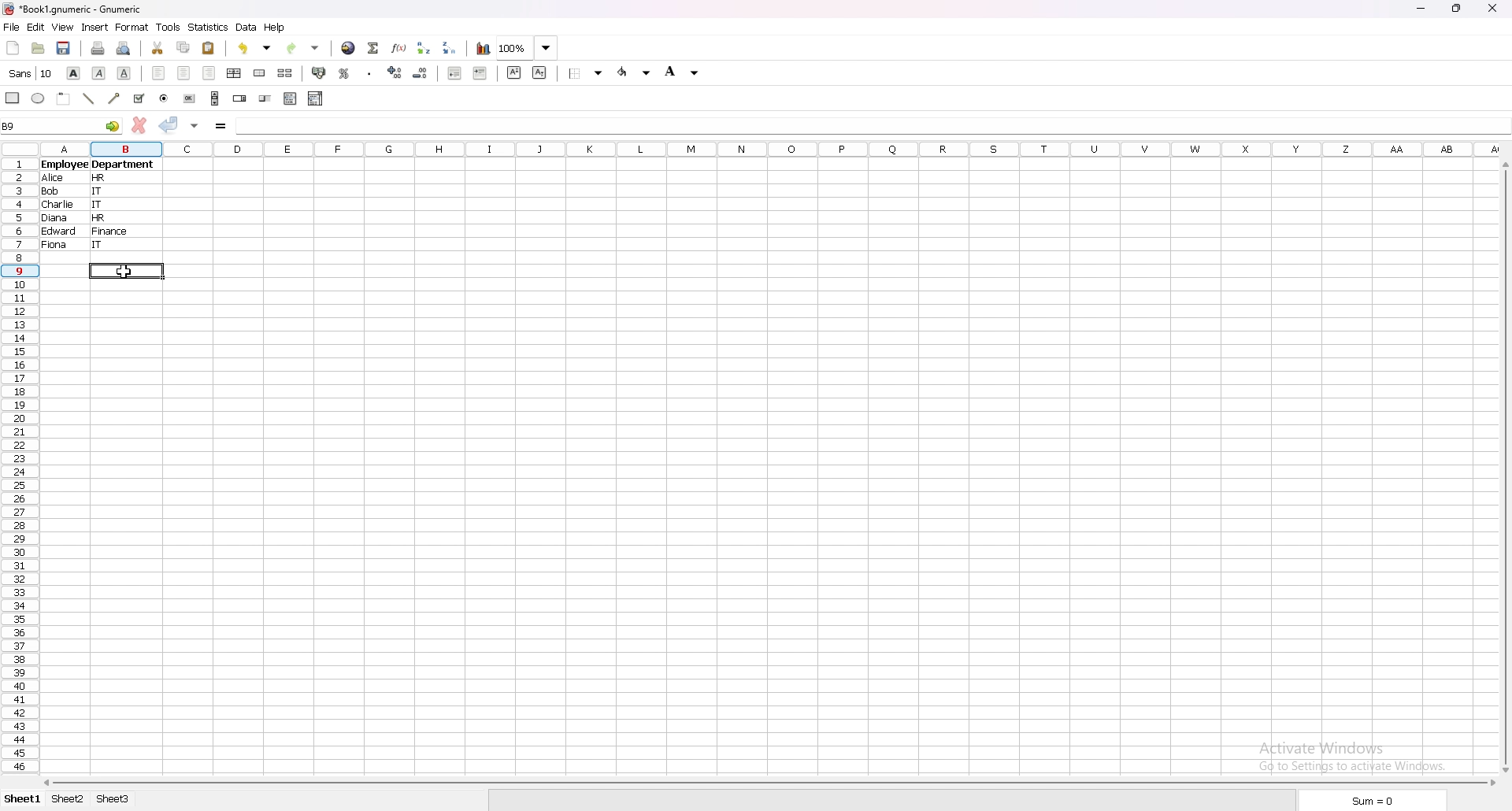 Image resolution: width=1512 pixels, height=811 pixels. What do you see at coordinates (349, 48) in the screenshot?
I see `hyperlink` at bounding box center [349, 48].